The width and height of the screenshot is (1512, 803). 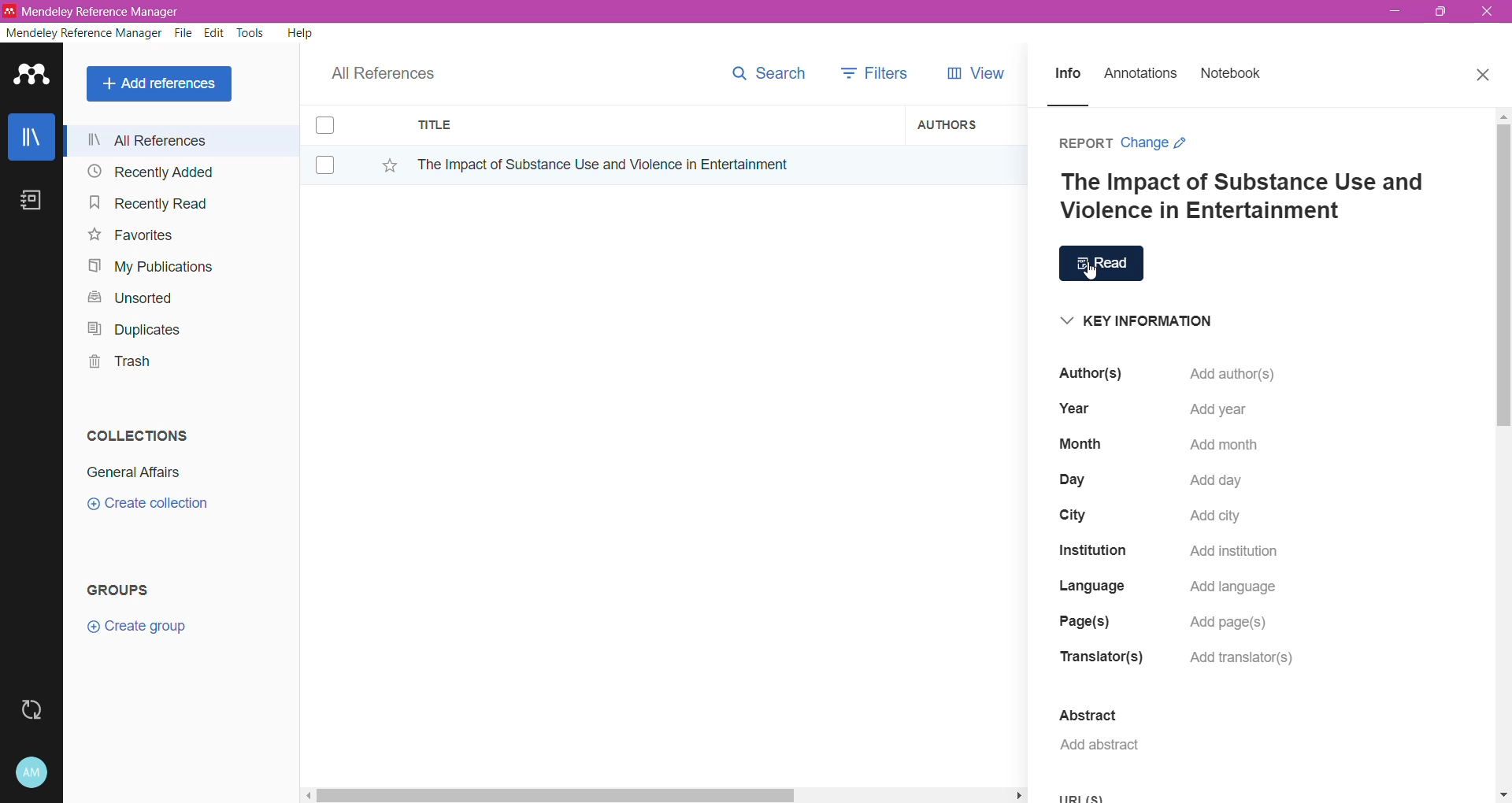 What do you see at coordinates (1085, 407) in the screenshot?
I see `Year` at bounding box center [1085, 407].